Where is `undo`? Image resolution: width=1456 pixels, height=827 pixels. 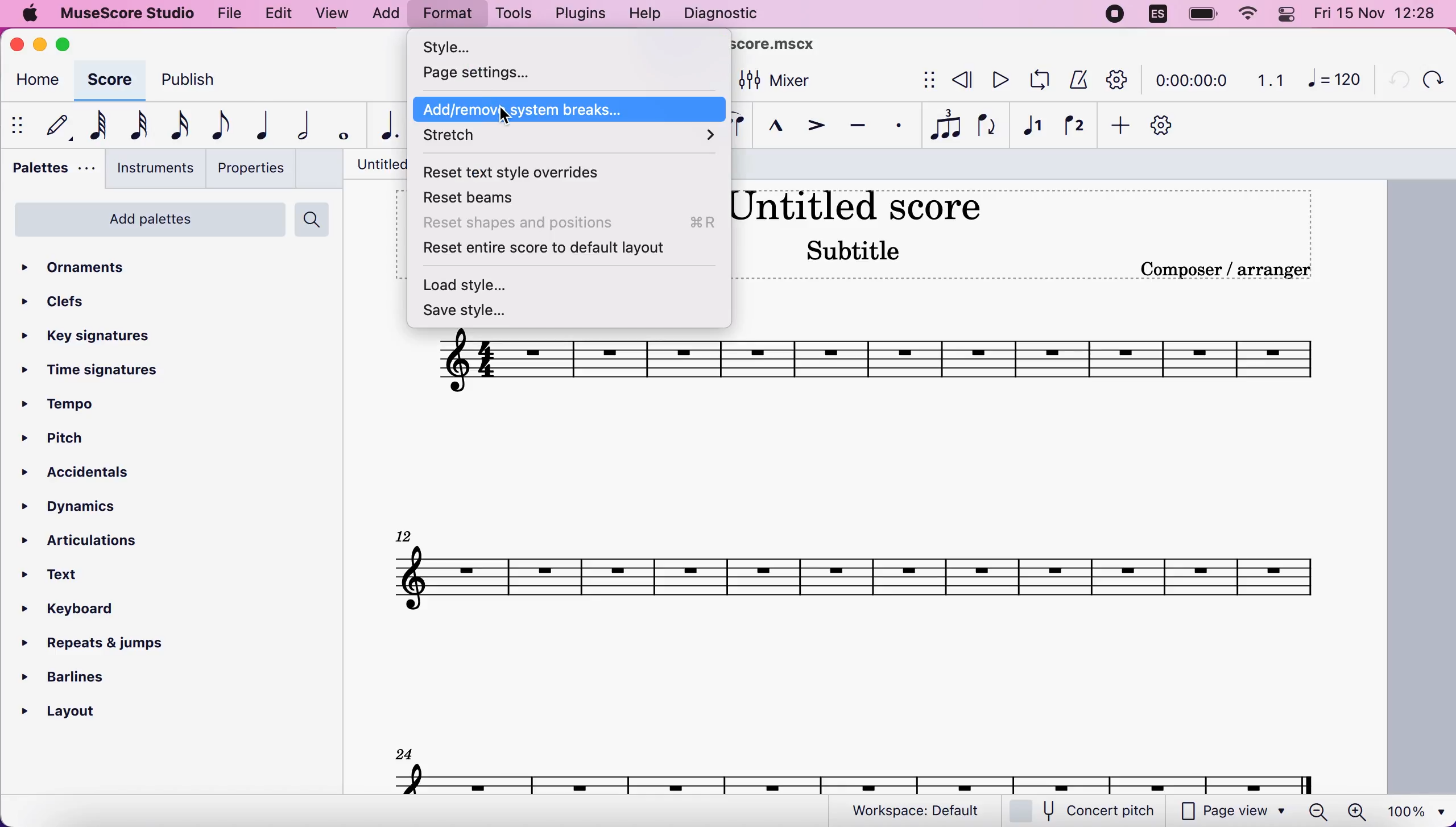
undo is located at coordinates (1393, 78).